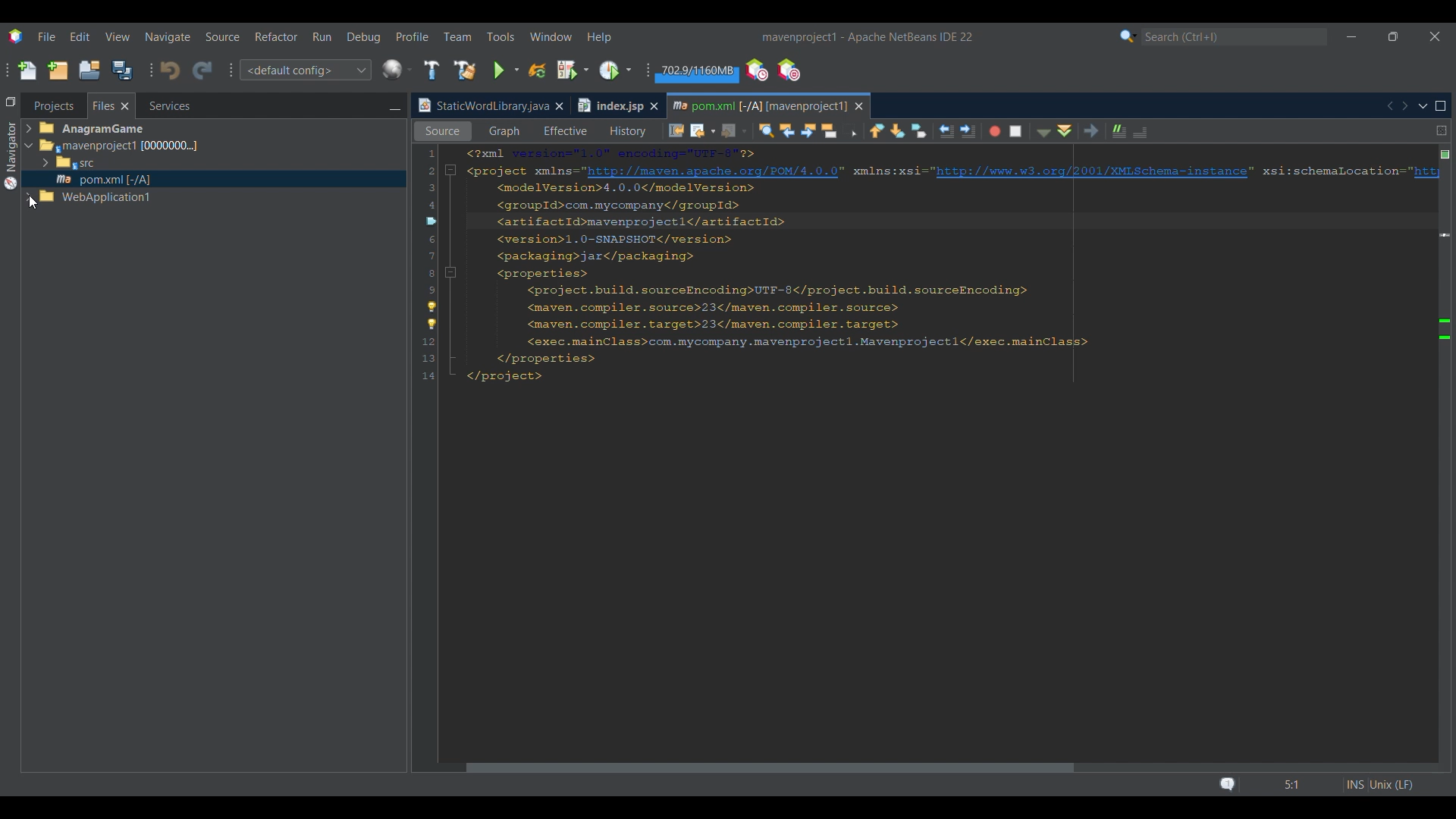 Image resolution: width=1456 pixels, height=819 pixels. Describe the element at coordinates (927, 268) in the screenshot. I see `Code in current tab` at that location.